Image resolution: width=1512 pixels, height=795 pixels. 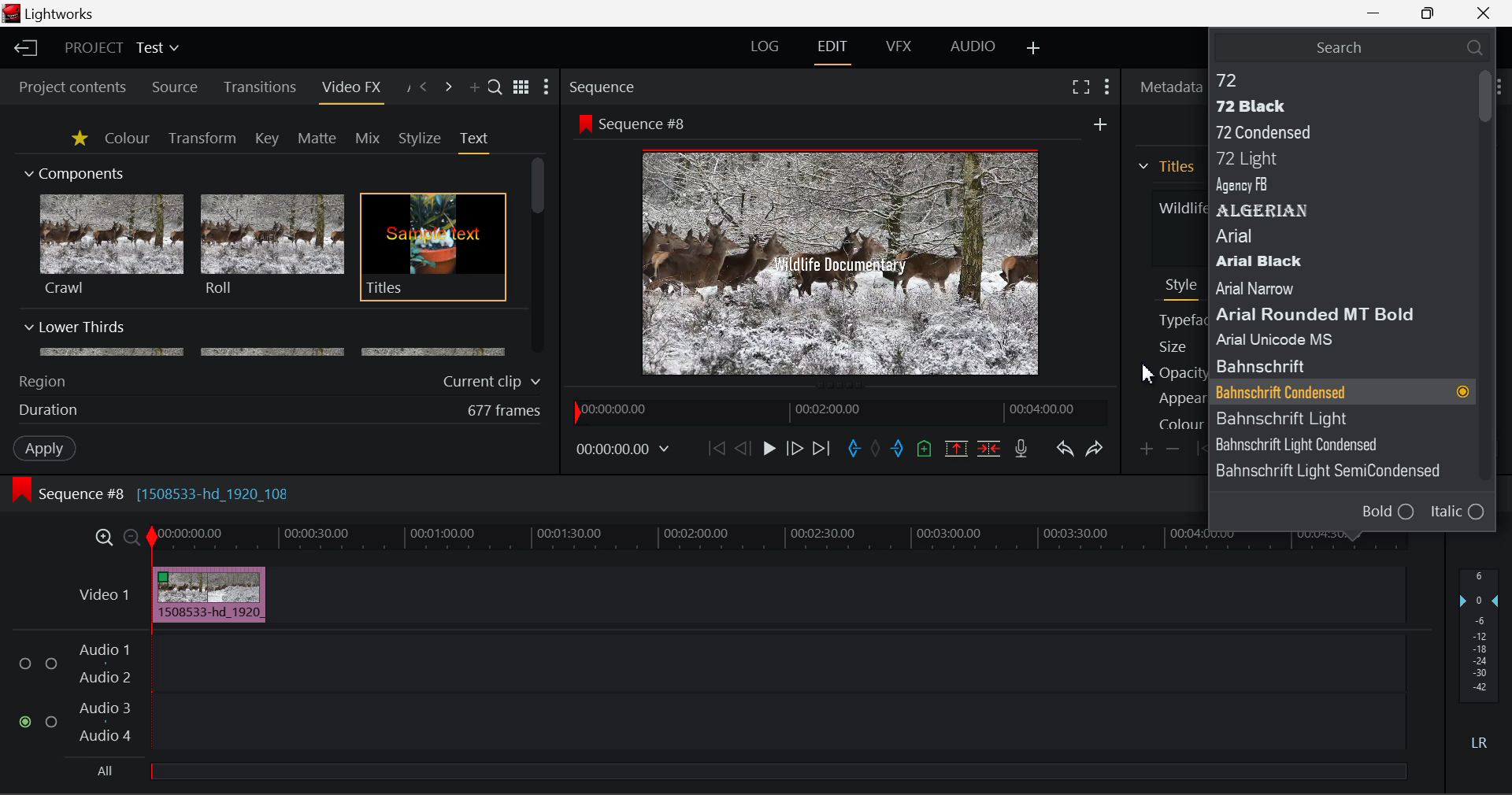 What do you see at coordinates (898, 46) in the screenshot?
I see `VFX Layout` at bounding box center [898, 46].